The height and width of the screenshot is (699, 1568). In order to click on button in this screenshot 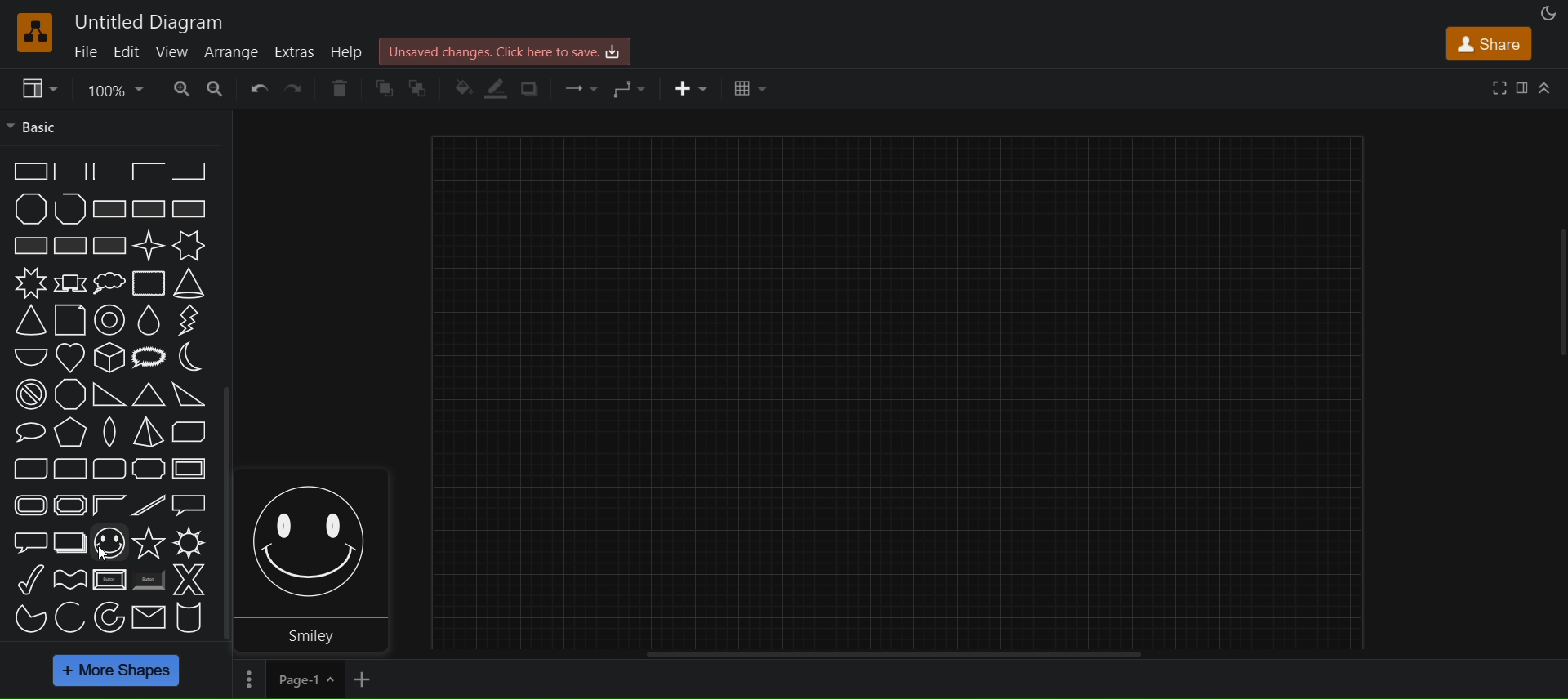, I will do `click(109, 579)`.